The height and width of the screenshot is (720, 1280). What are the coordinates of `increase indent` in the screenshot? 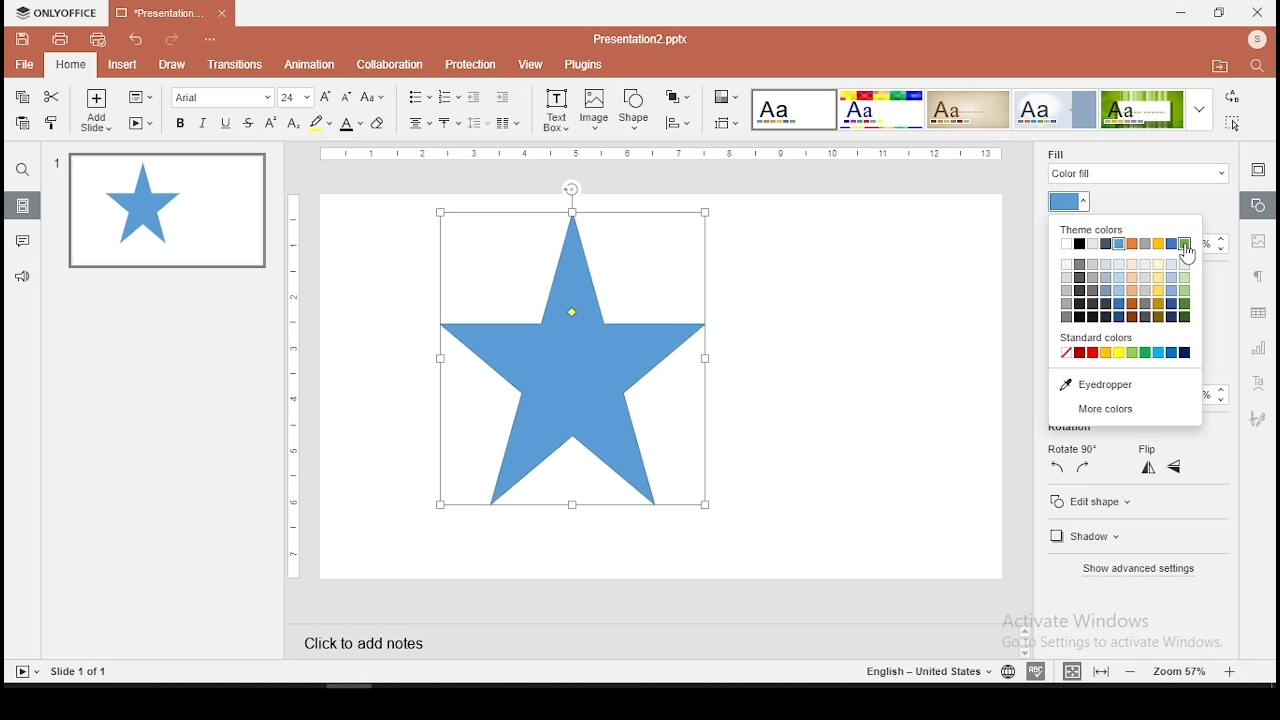 It's located at (503, 96).